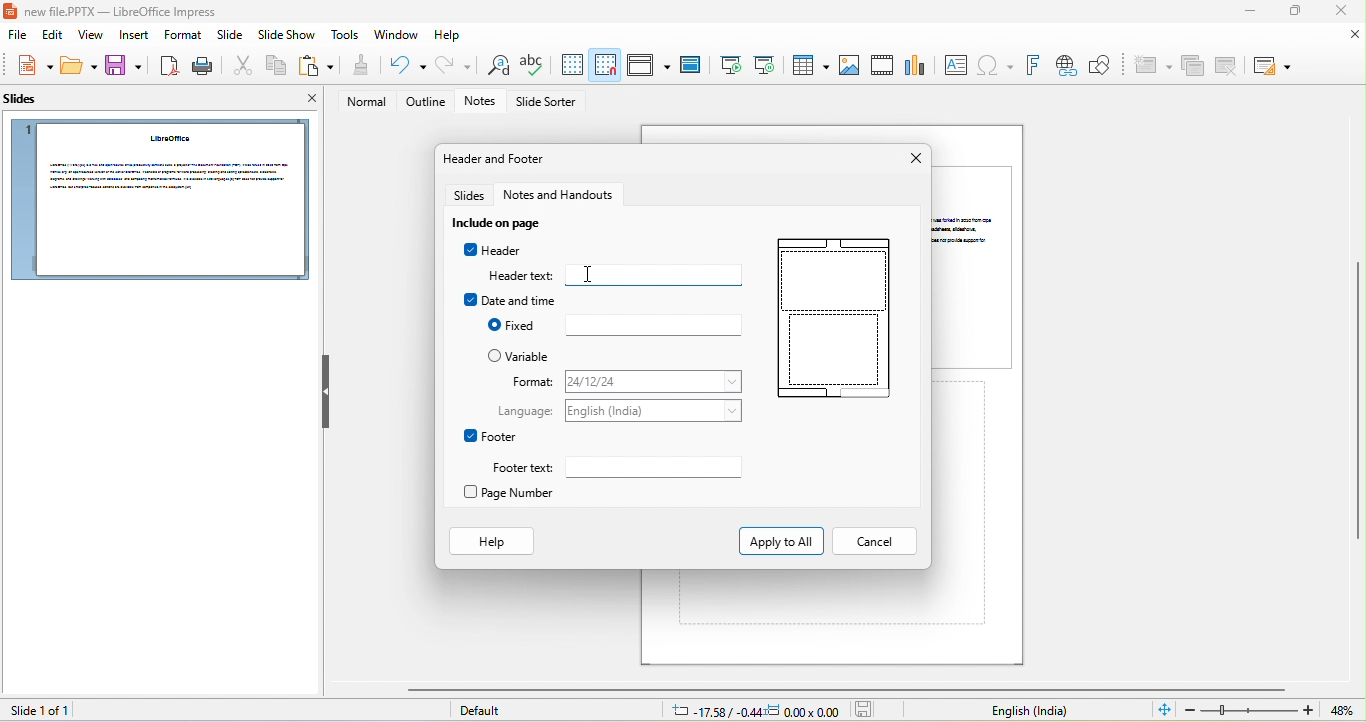 The width and height of the screenshot is (1366, 722). What do you see at coordinates (1029, 711) in the screenshot?
I see `text language` at bounding box center [1029, 711].